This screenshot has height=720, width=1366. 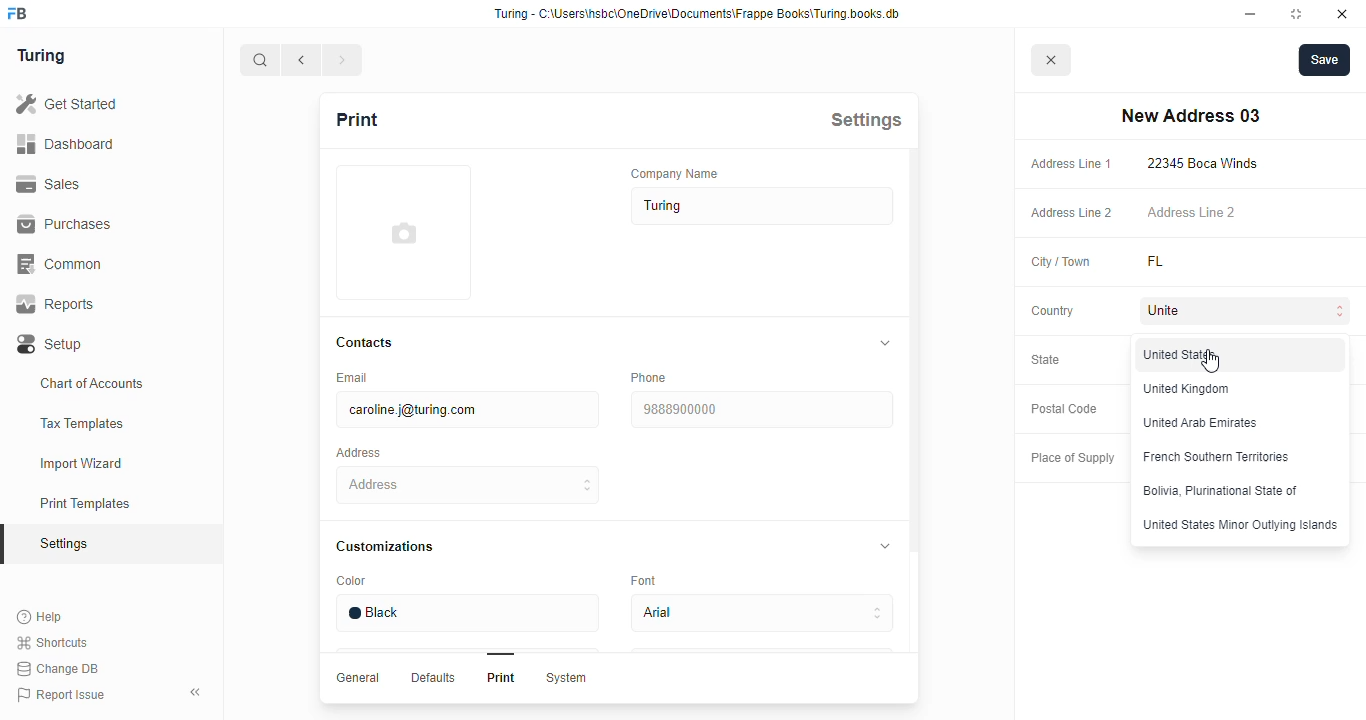 What do you see at coordinates (302, 60) in the screenshot?
I see `previous` at bounding box center [302, 60].